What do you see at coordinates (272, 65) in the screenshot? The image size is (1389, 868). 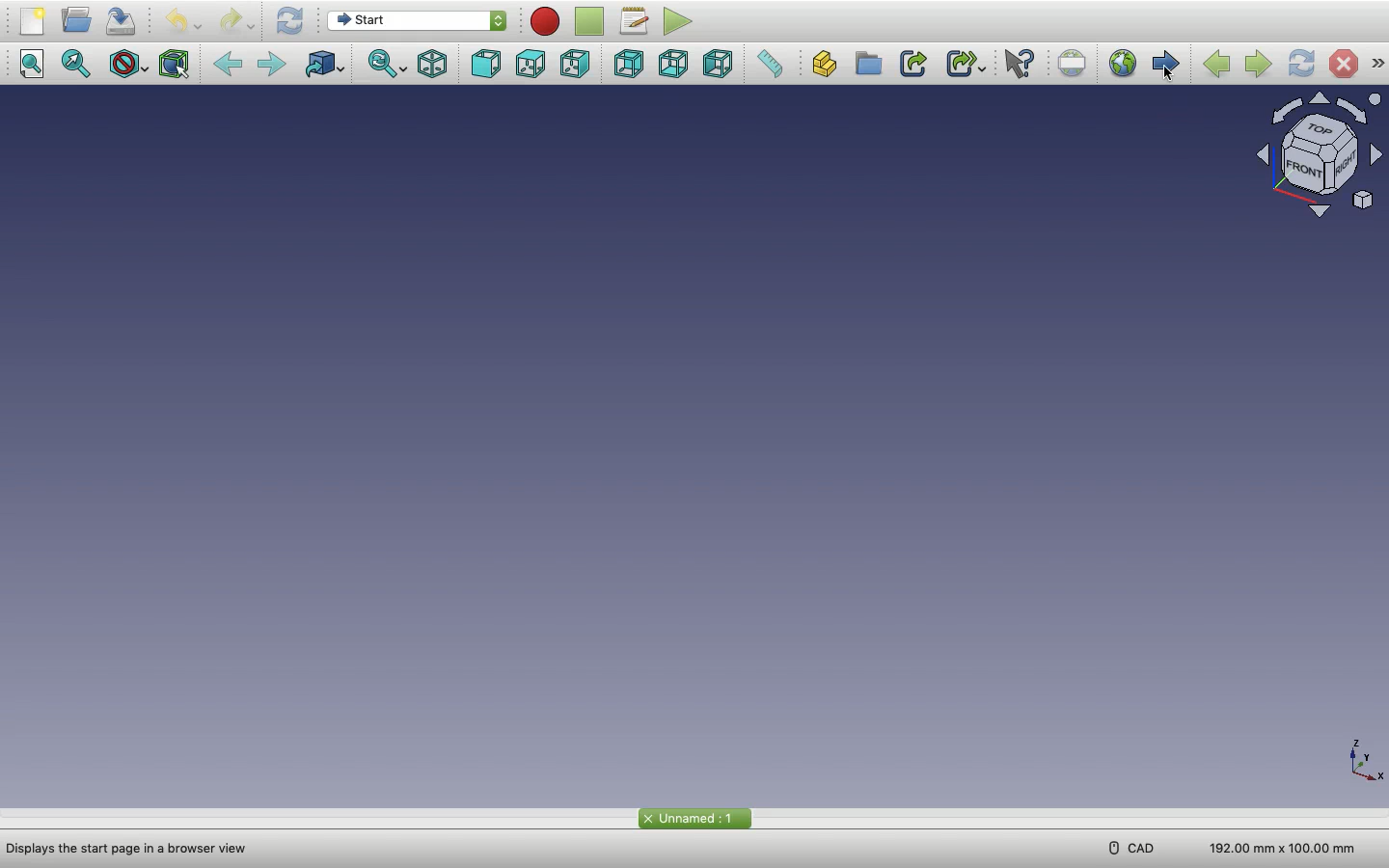 I see `Forward` at bounding box center [272, 65].